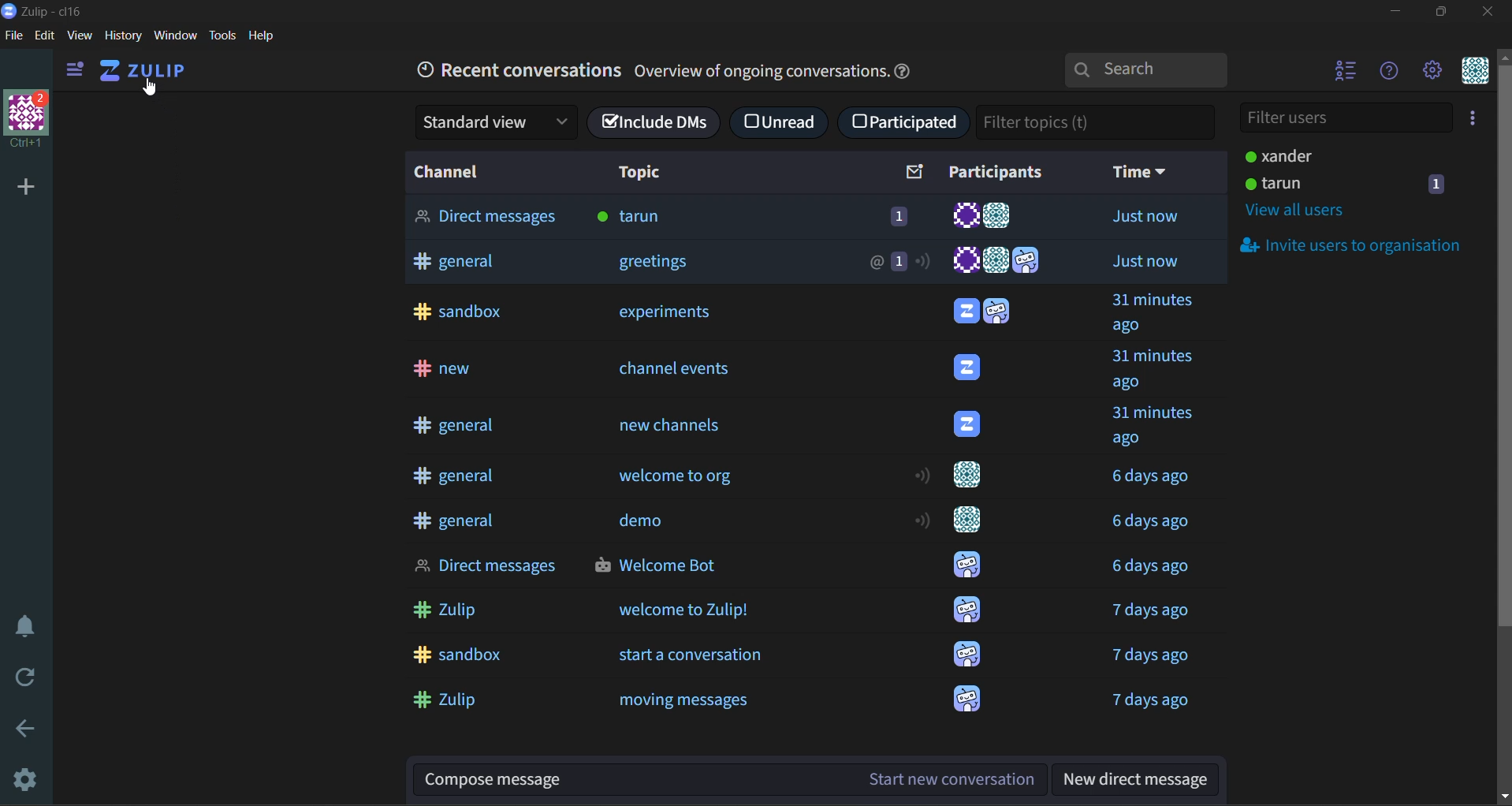 The image size is (1512, 806). I want to click on channel events, so click(685, 374).